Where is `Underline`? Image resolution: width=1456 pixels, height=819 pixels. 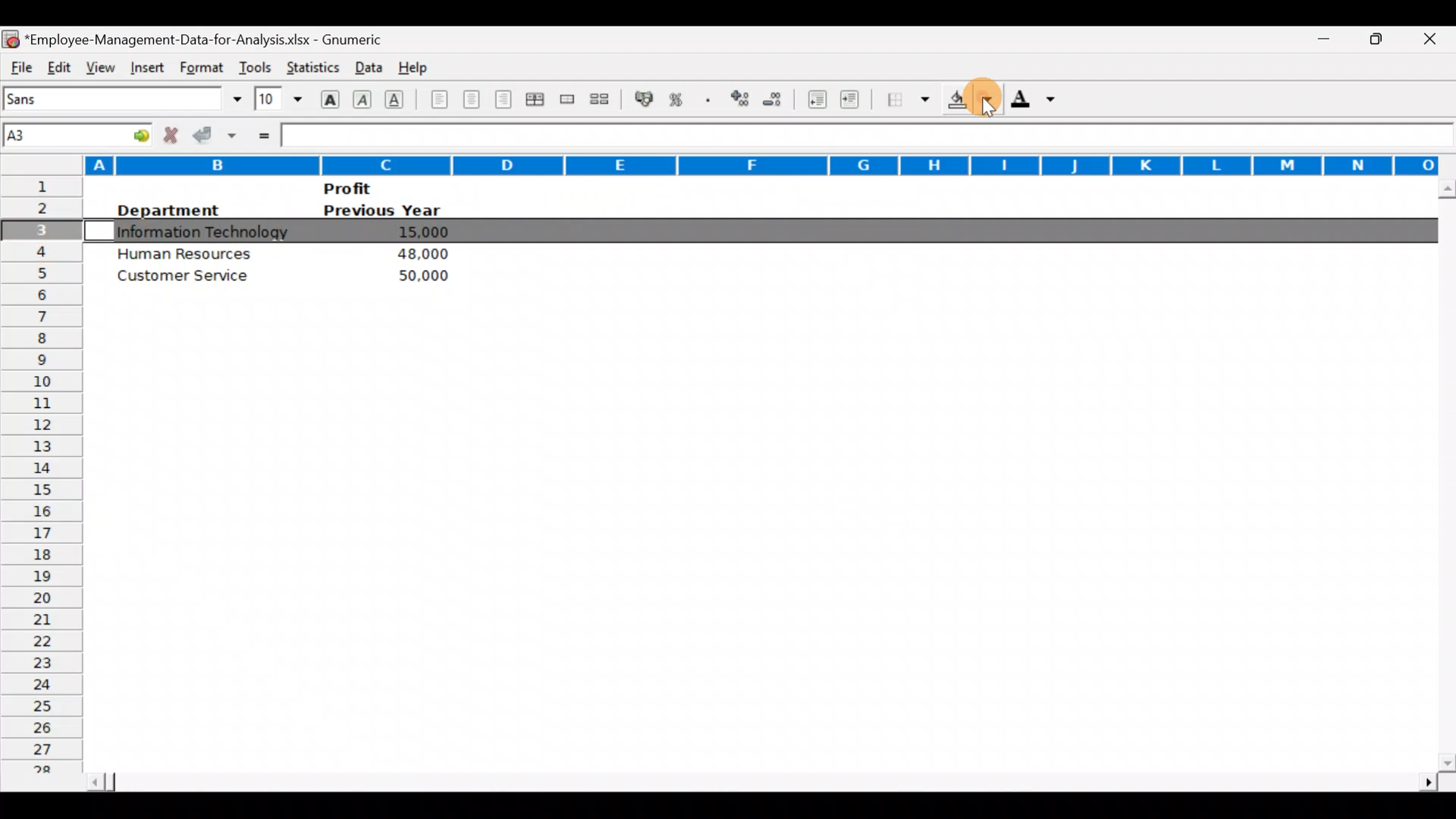 Underline is located at coordinates (399, 99).